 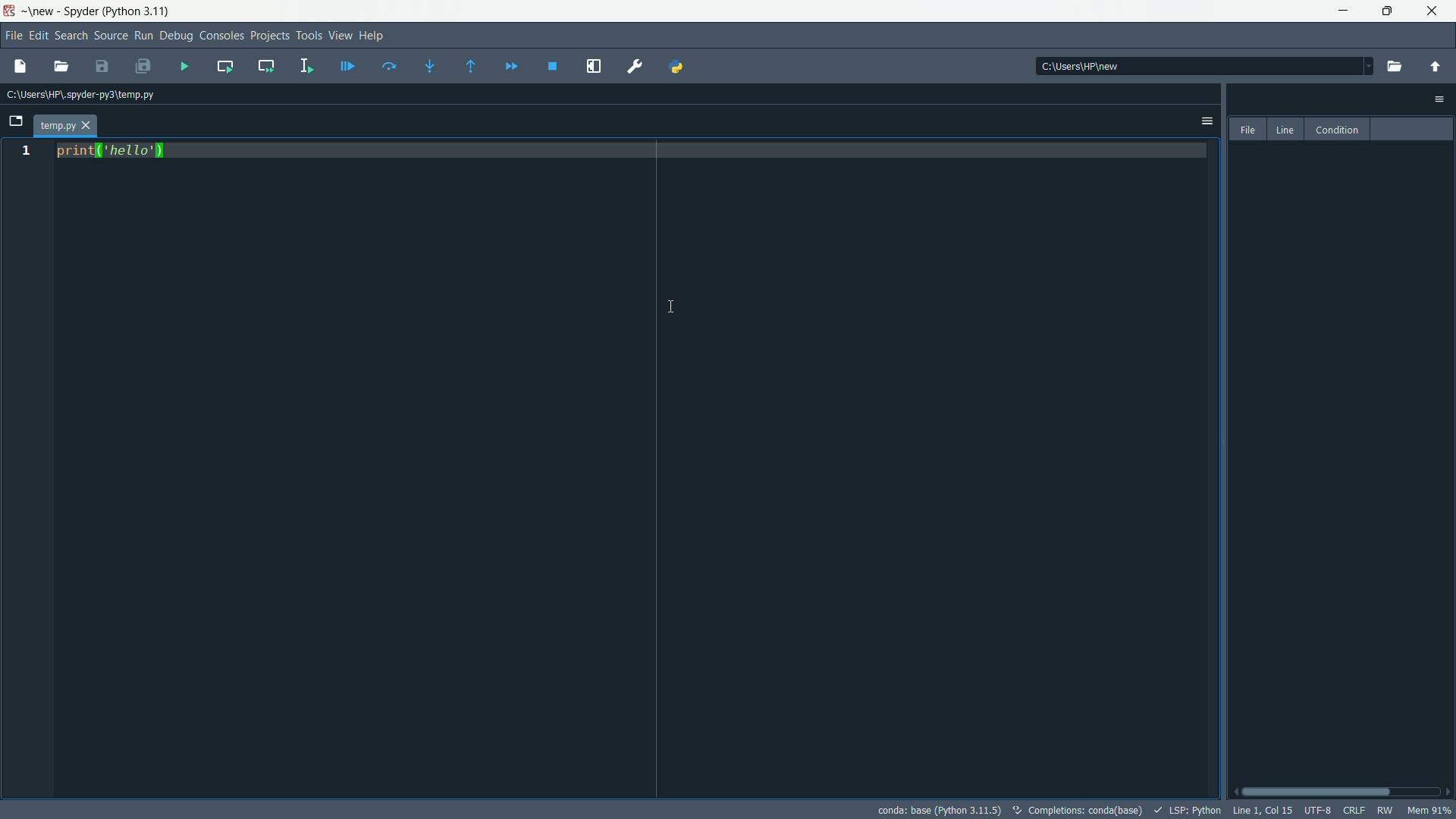 What do you see at coordinates (144, 65) in the screenshot?
I see `save all files` at bounding box center [144, 65].